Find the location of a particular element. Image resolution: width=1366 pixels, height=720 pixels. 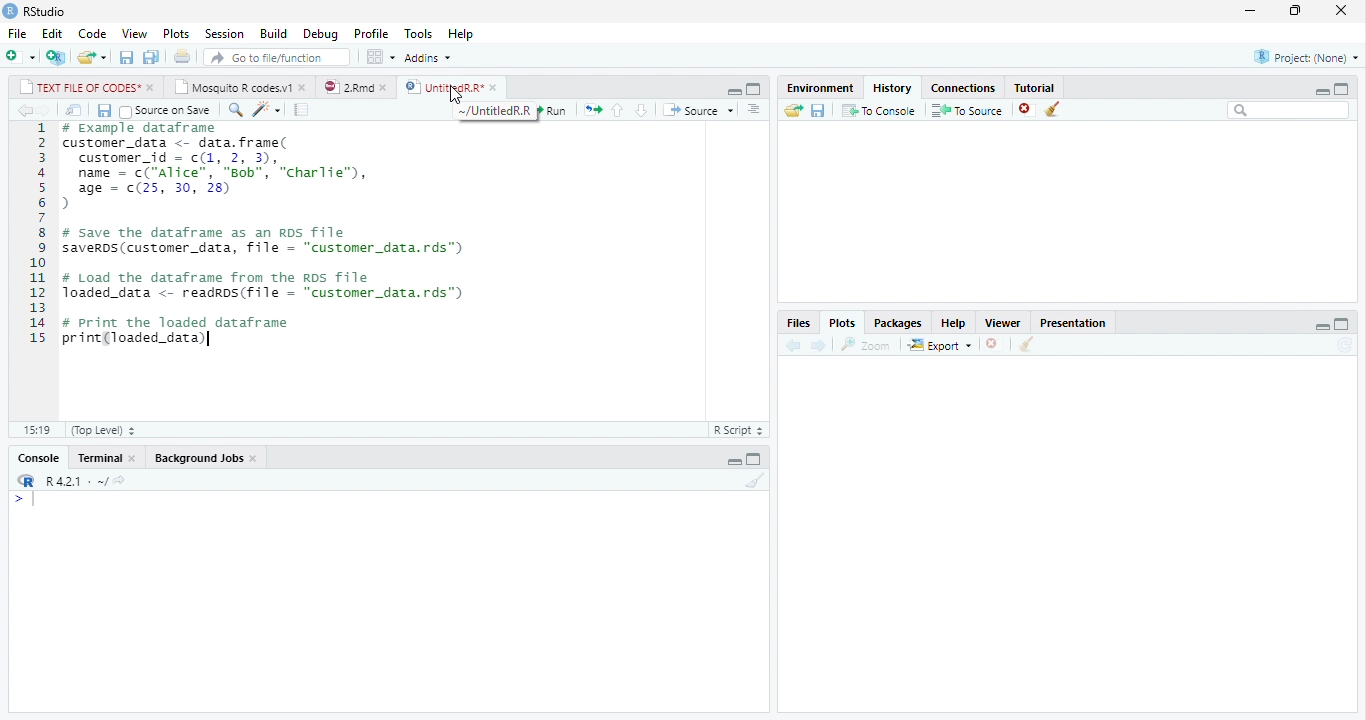

History is located at coordinates (892, 87).